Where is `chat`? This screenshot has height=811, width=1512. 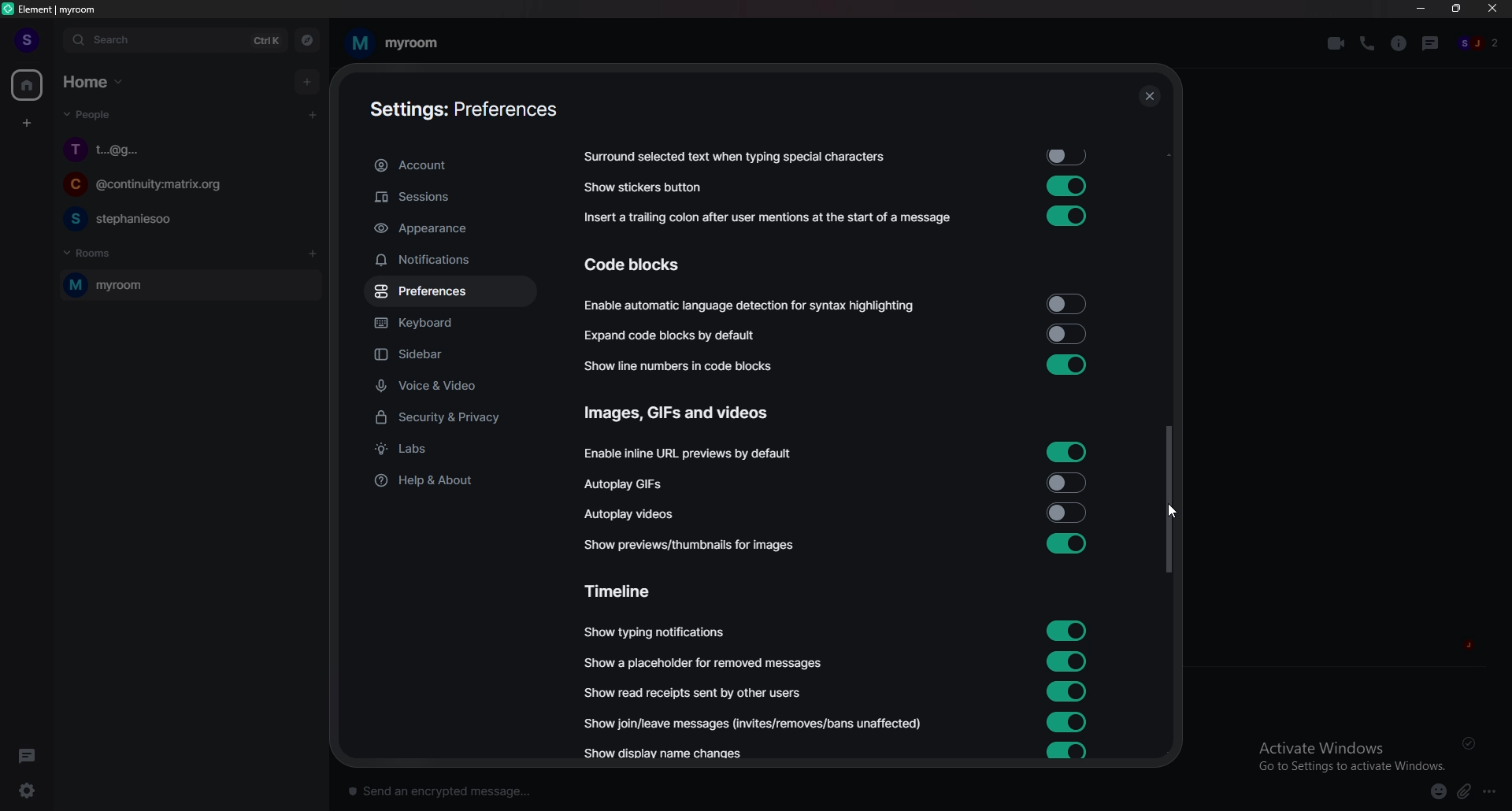
chat is located at coordinates (188, 149).